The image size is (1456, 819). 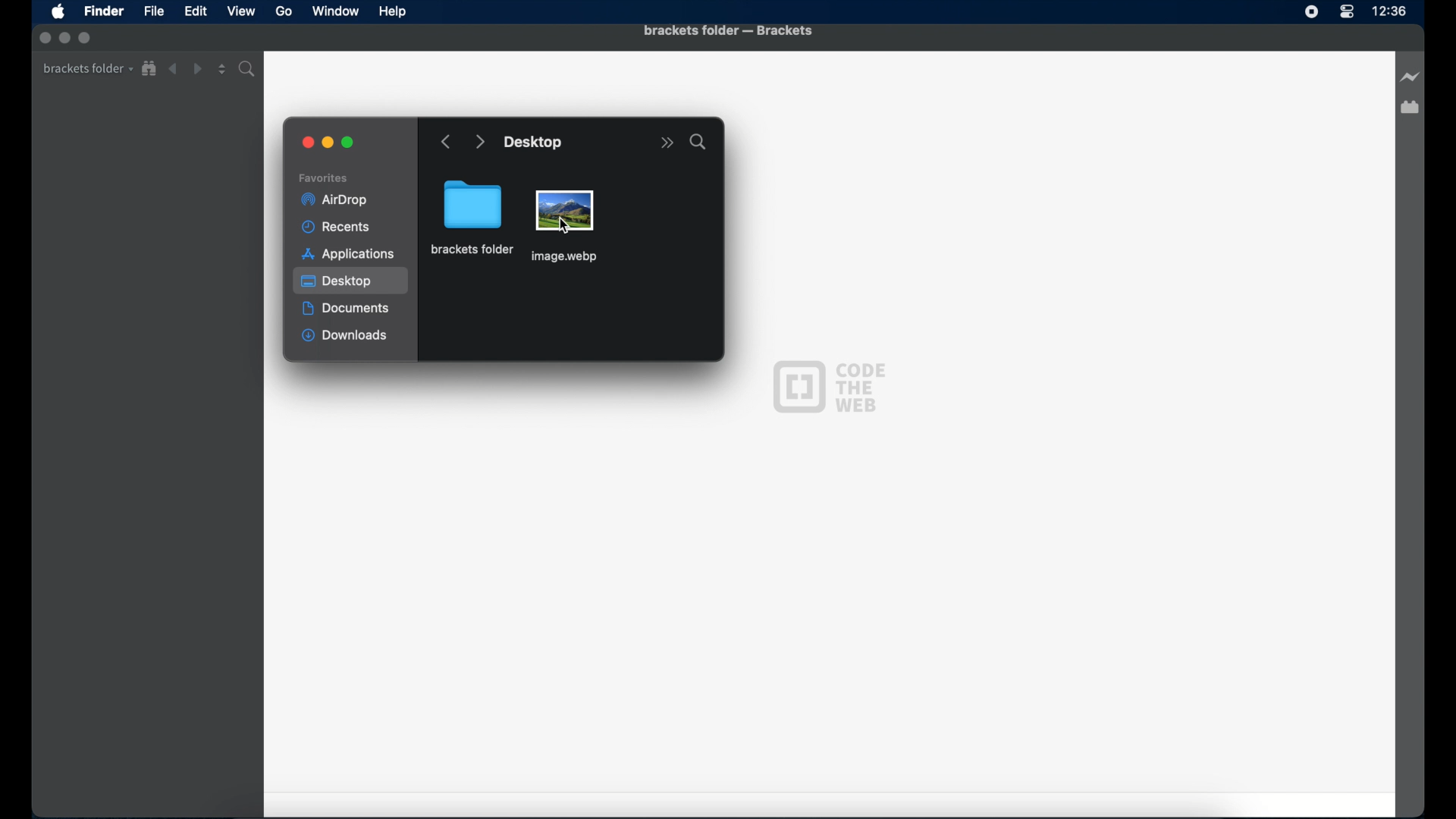 What do you see at coordinates (698, 142) in the screenshot?
I see `search` at bounding box center [698, 142].